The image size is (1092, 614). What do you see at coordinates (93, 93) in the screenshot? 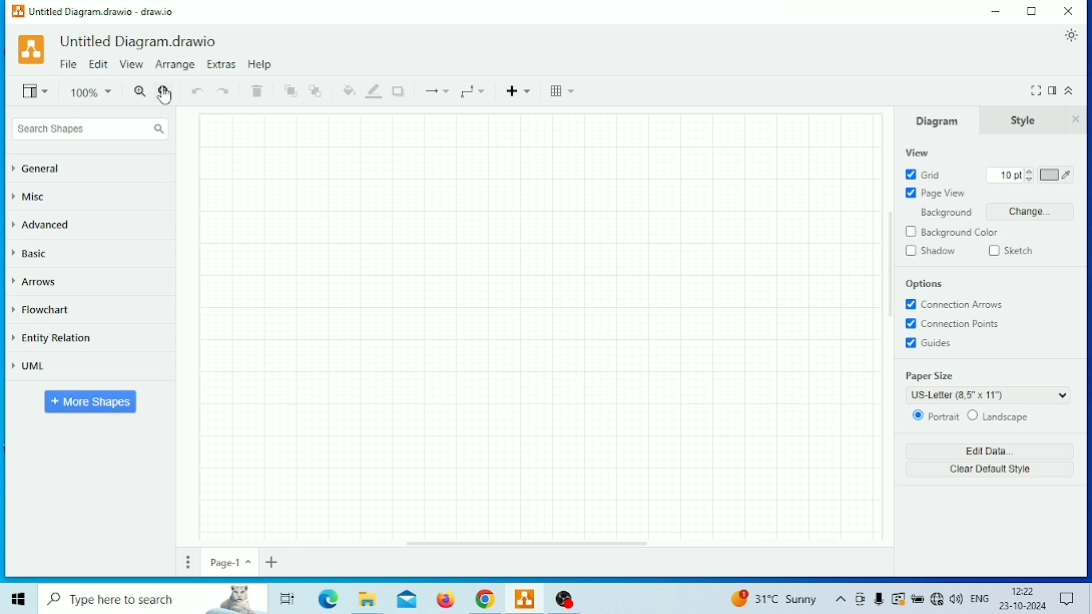
I see `Zoom` at bounding box center [93, 93].